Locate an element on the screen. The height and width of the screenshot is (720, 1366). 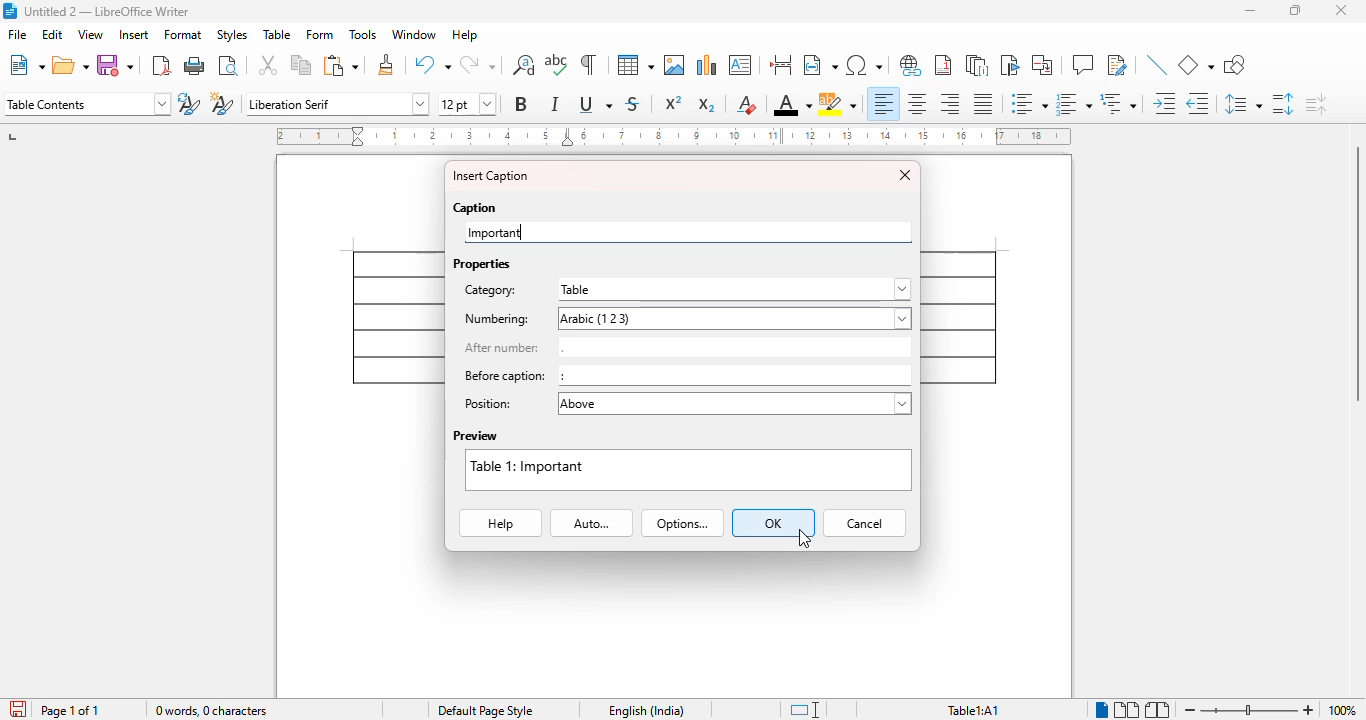
insert endnote is located at coordinates (977, 65).